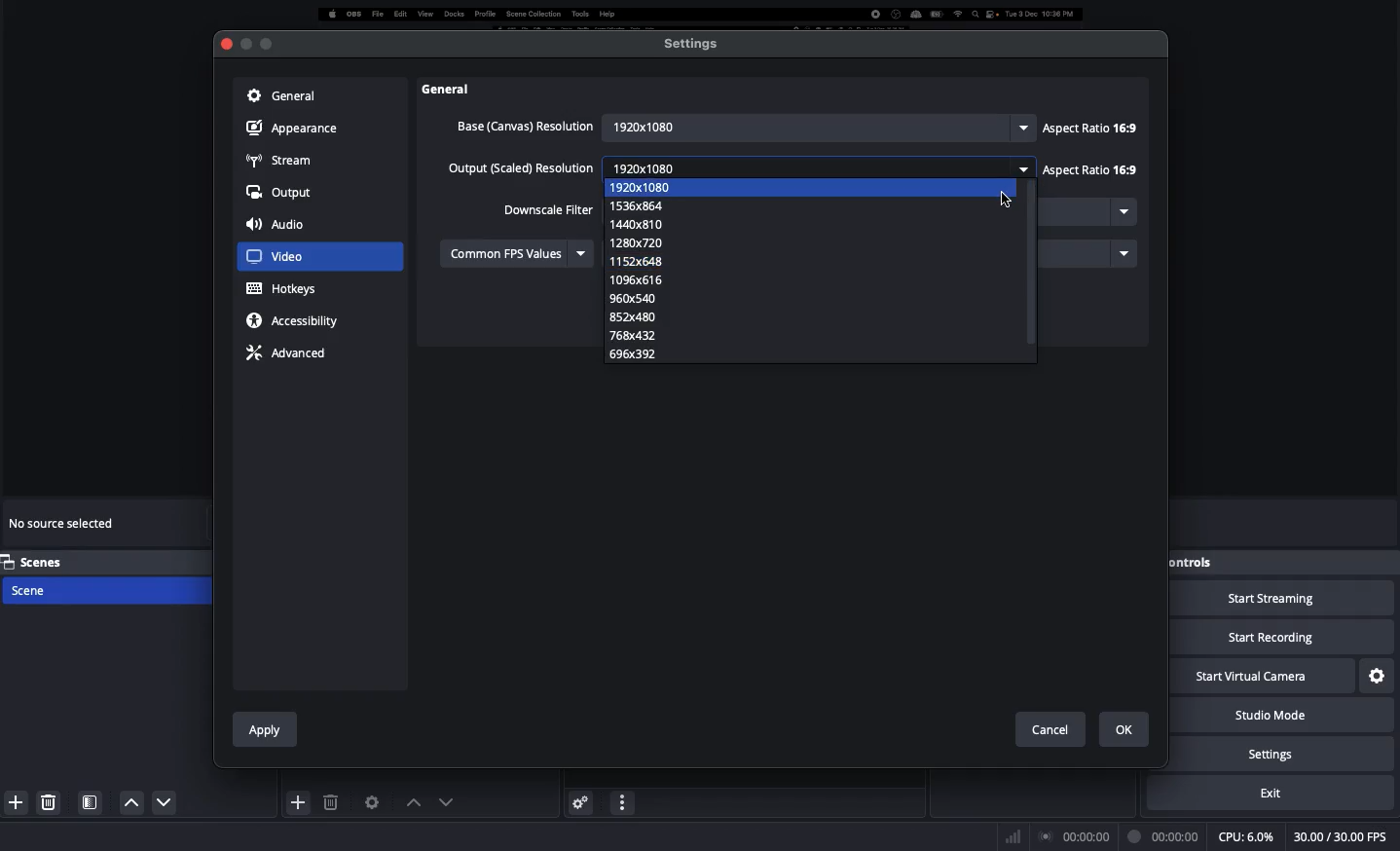 The image size is (1400, 851). Describe the element at coordinates (297, 127) in the screenshot. I see `Appearance` at that location.